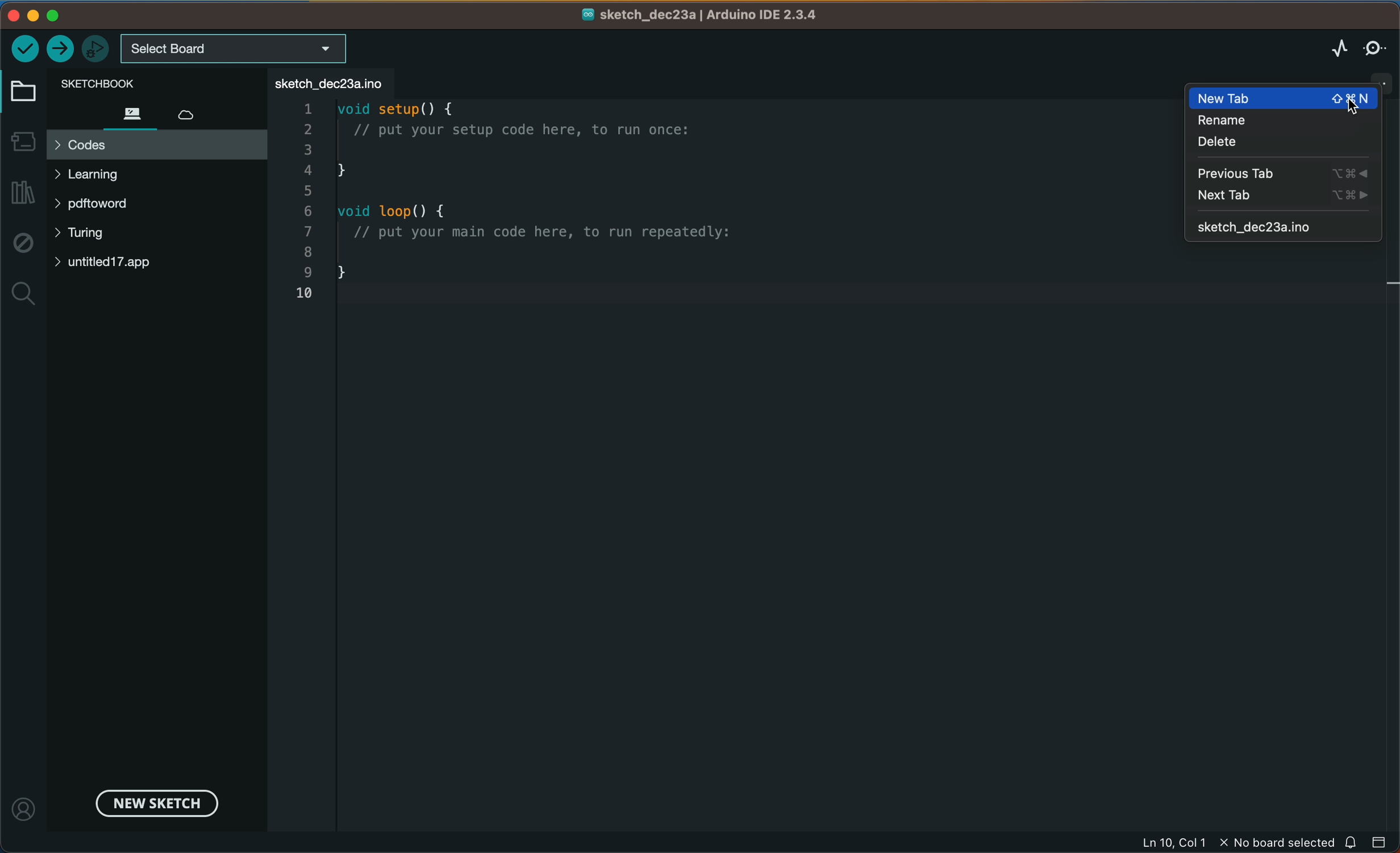 This screenshot has width=1400, height=853. Describe the element at coordinates (1352, 842) in the screenshot. I see `notification` at that location.